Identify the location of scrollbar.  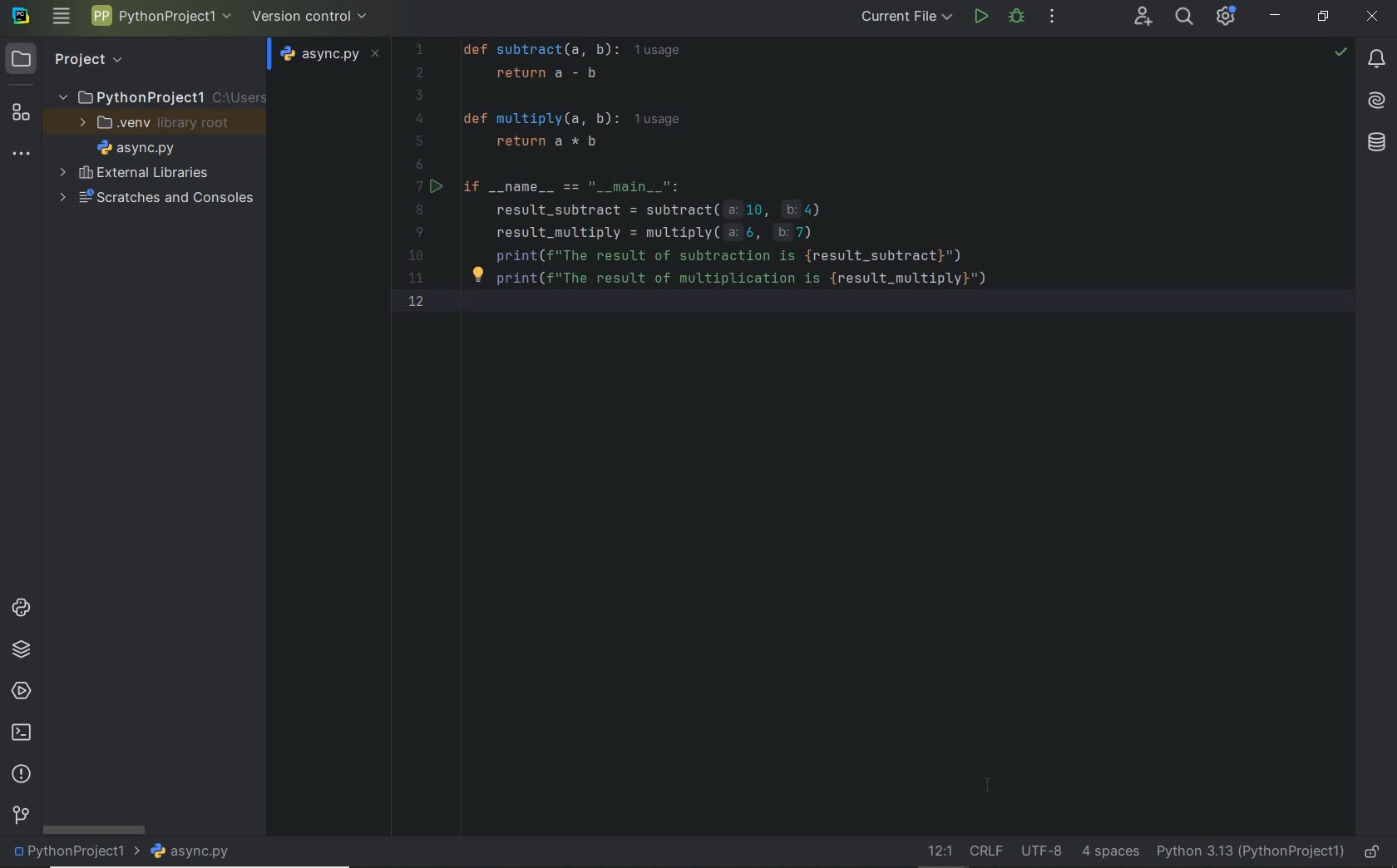
(92, 829).